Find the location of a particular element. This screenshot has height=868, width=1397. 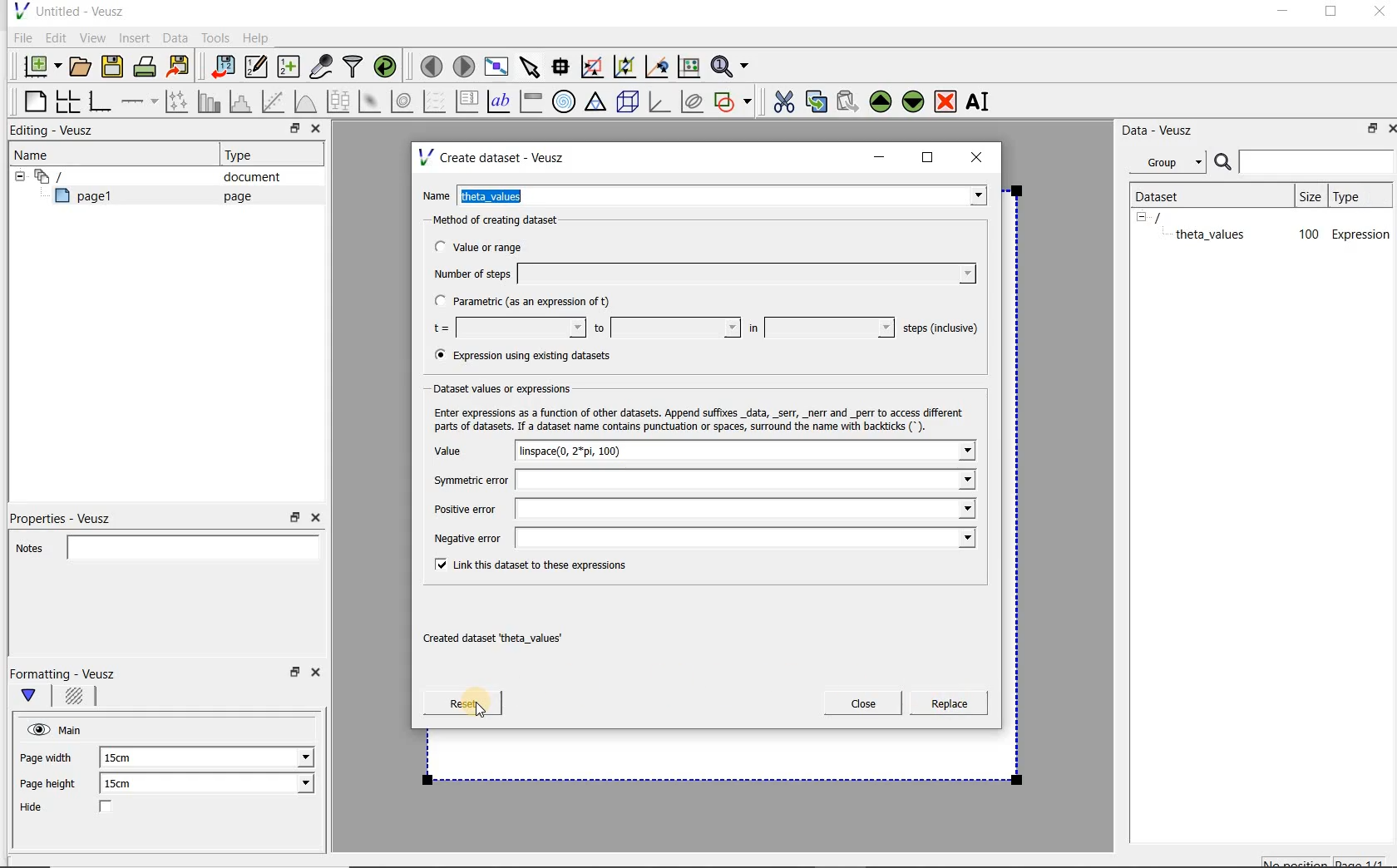

rename the selected widget is located at coordinates (981, 101).